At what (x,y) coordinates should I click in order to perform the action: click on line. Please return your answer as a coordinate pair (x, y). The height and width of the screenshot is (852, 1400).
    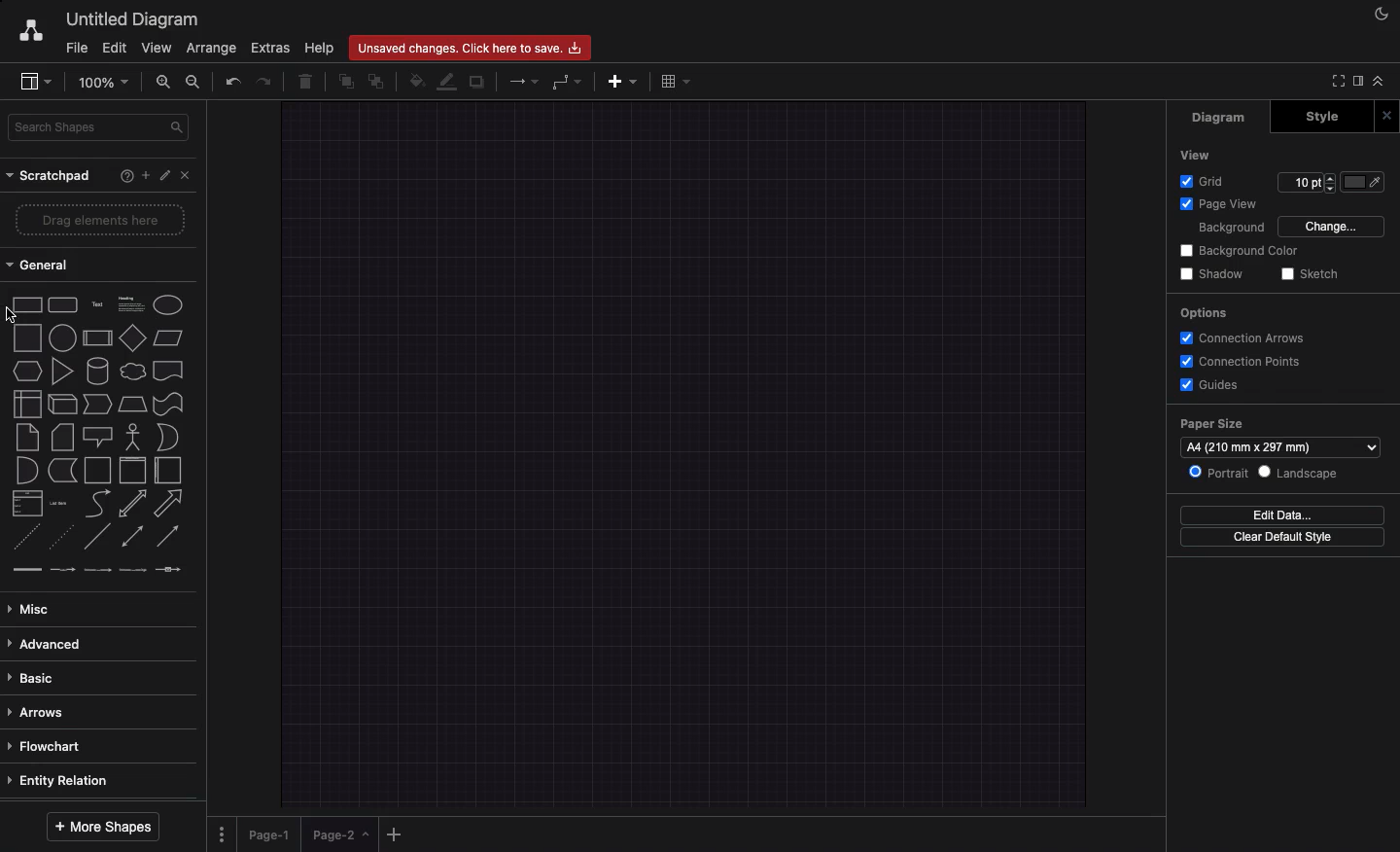
    Looking at the image, I should click on (97, 536).